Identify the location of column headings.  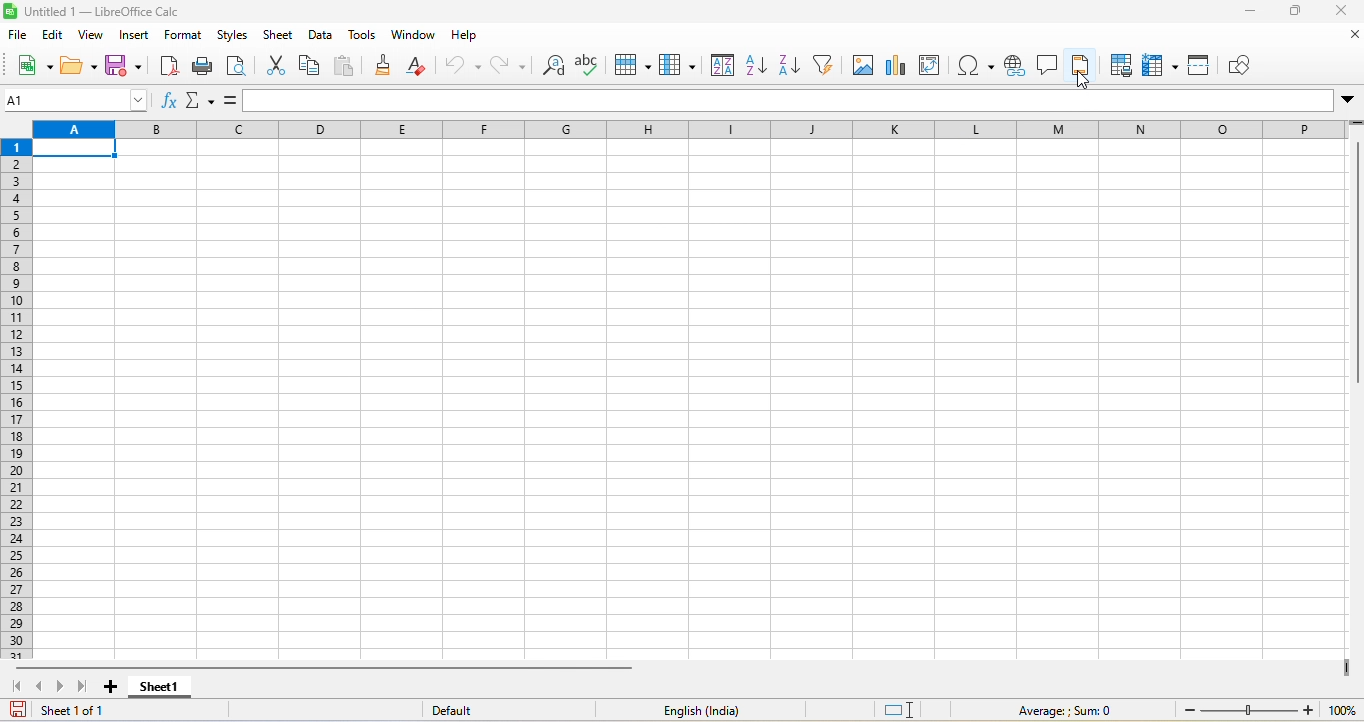
(686, 129).